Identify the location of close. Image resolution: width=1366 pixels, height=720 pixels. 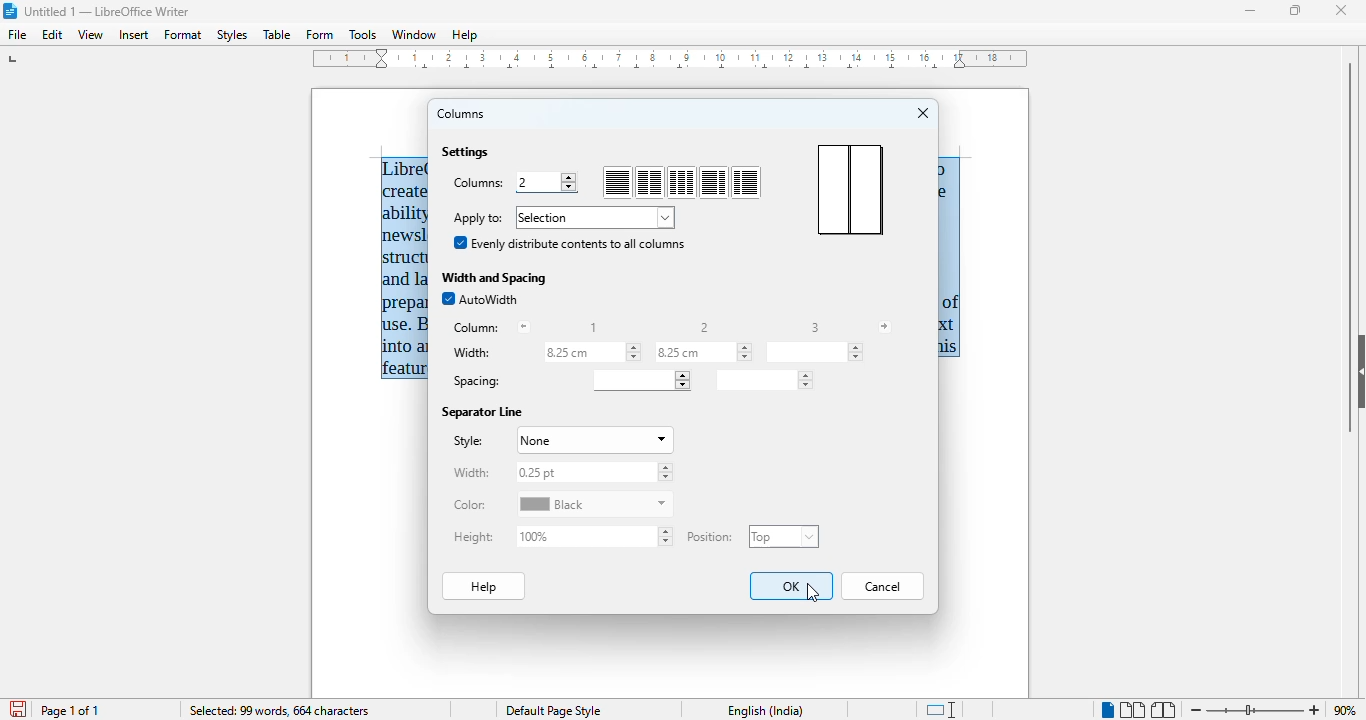
(924, 113).